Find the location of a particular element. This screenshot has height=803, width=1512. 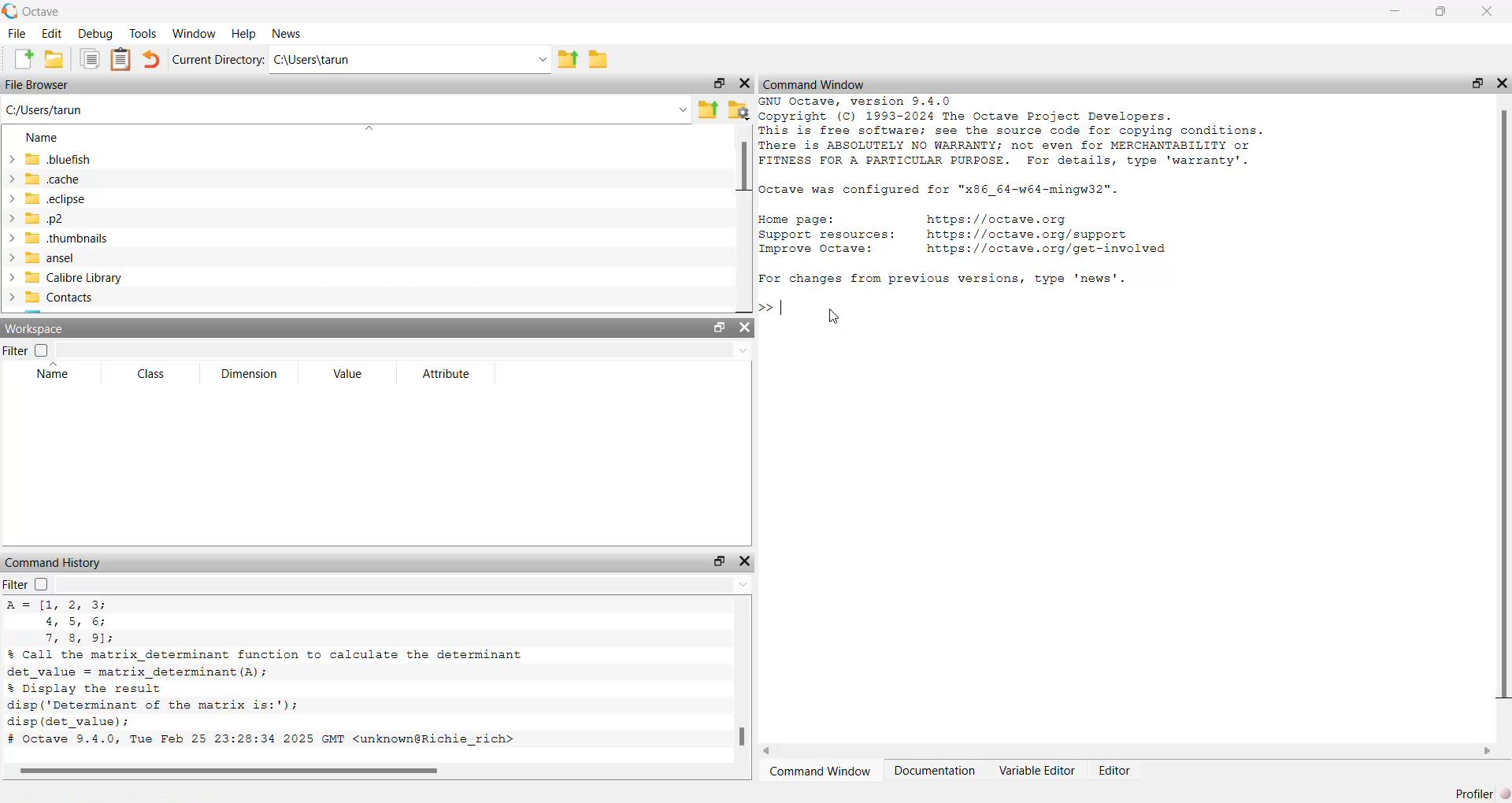

close is located at coordinates (743, 83).